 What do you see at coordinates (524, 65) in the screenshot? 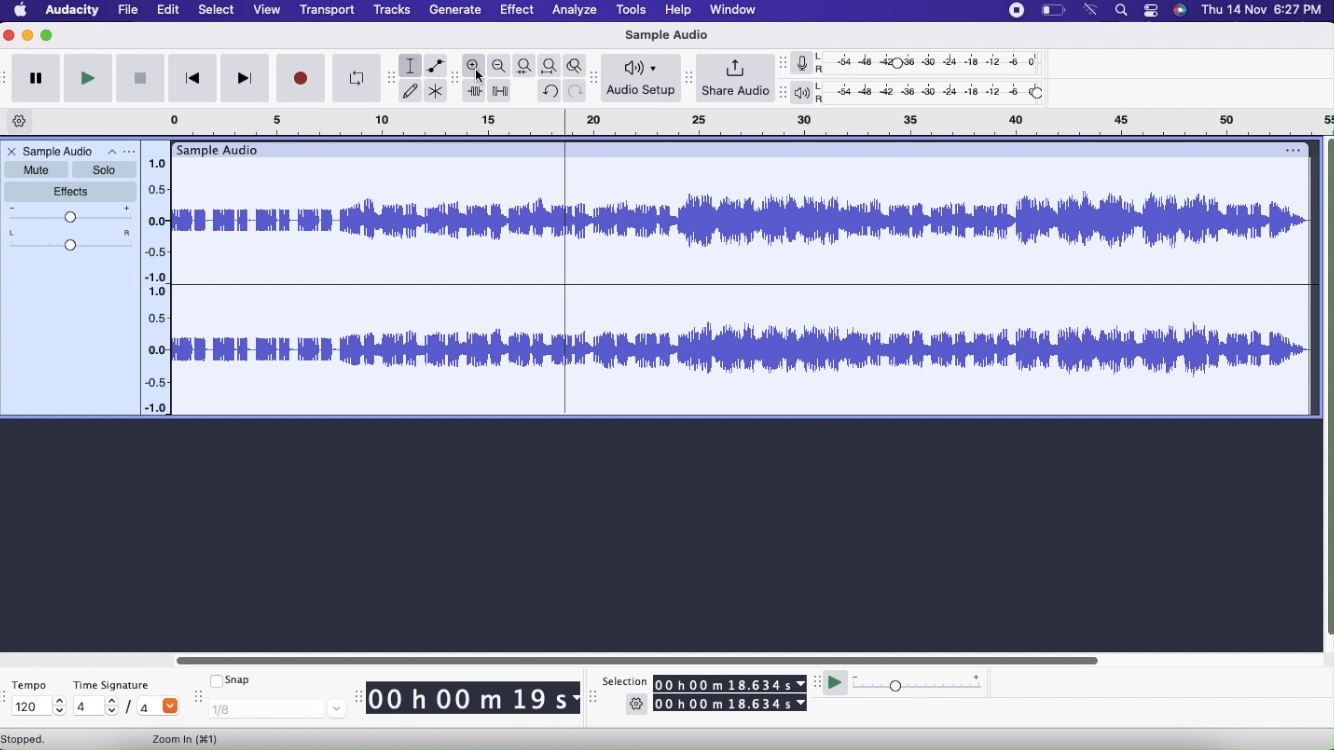
I see `Fit selection to width` at bounding box center [524, 65].